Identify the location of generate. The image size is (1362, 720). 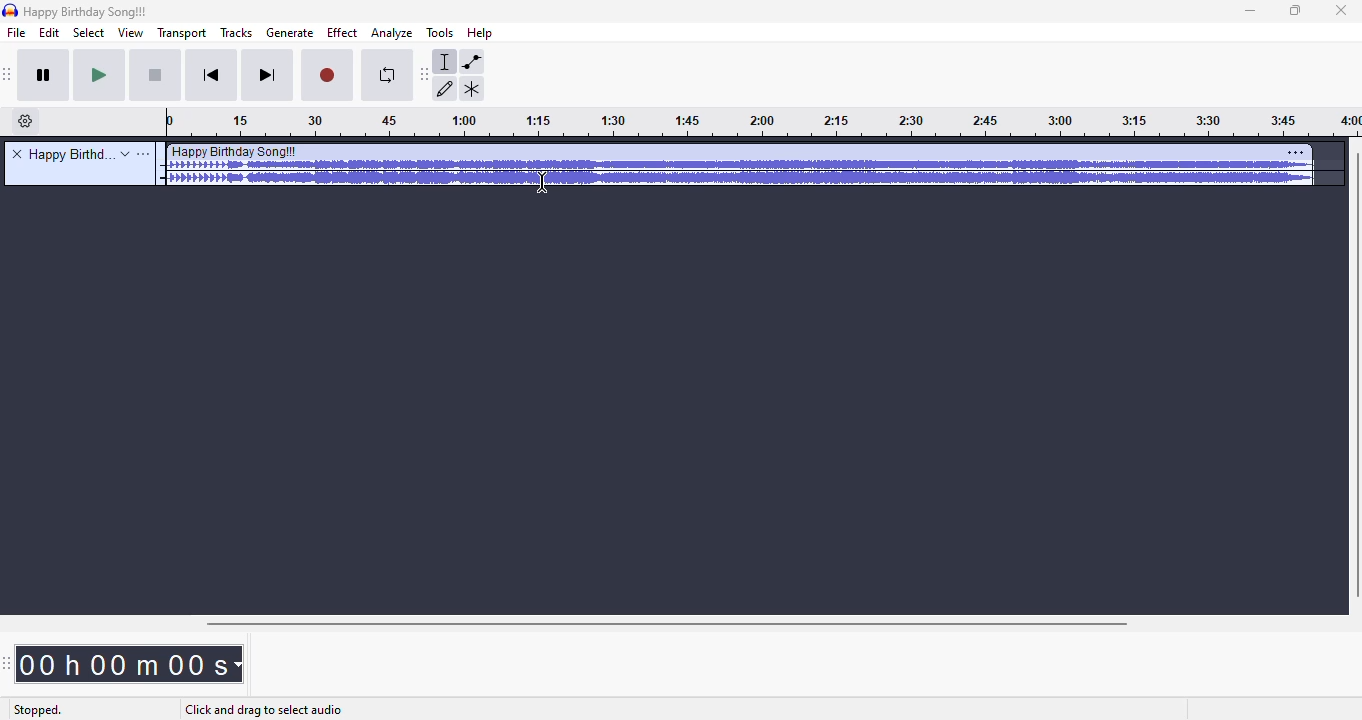
(290, 33).